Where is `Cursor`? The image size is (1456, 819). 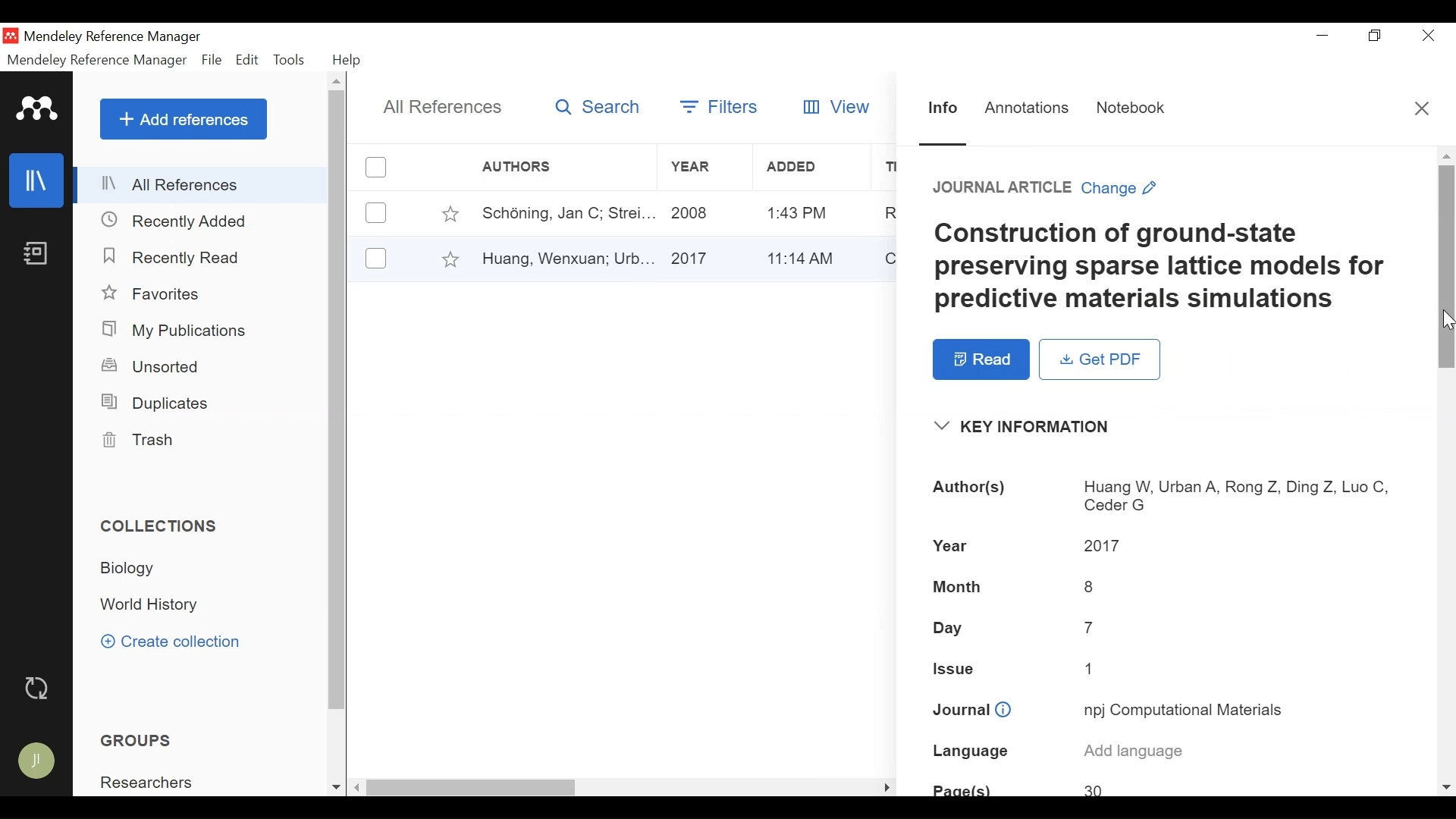
Cursor is located at coordinates (1447, 318).